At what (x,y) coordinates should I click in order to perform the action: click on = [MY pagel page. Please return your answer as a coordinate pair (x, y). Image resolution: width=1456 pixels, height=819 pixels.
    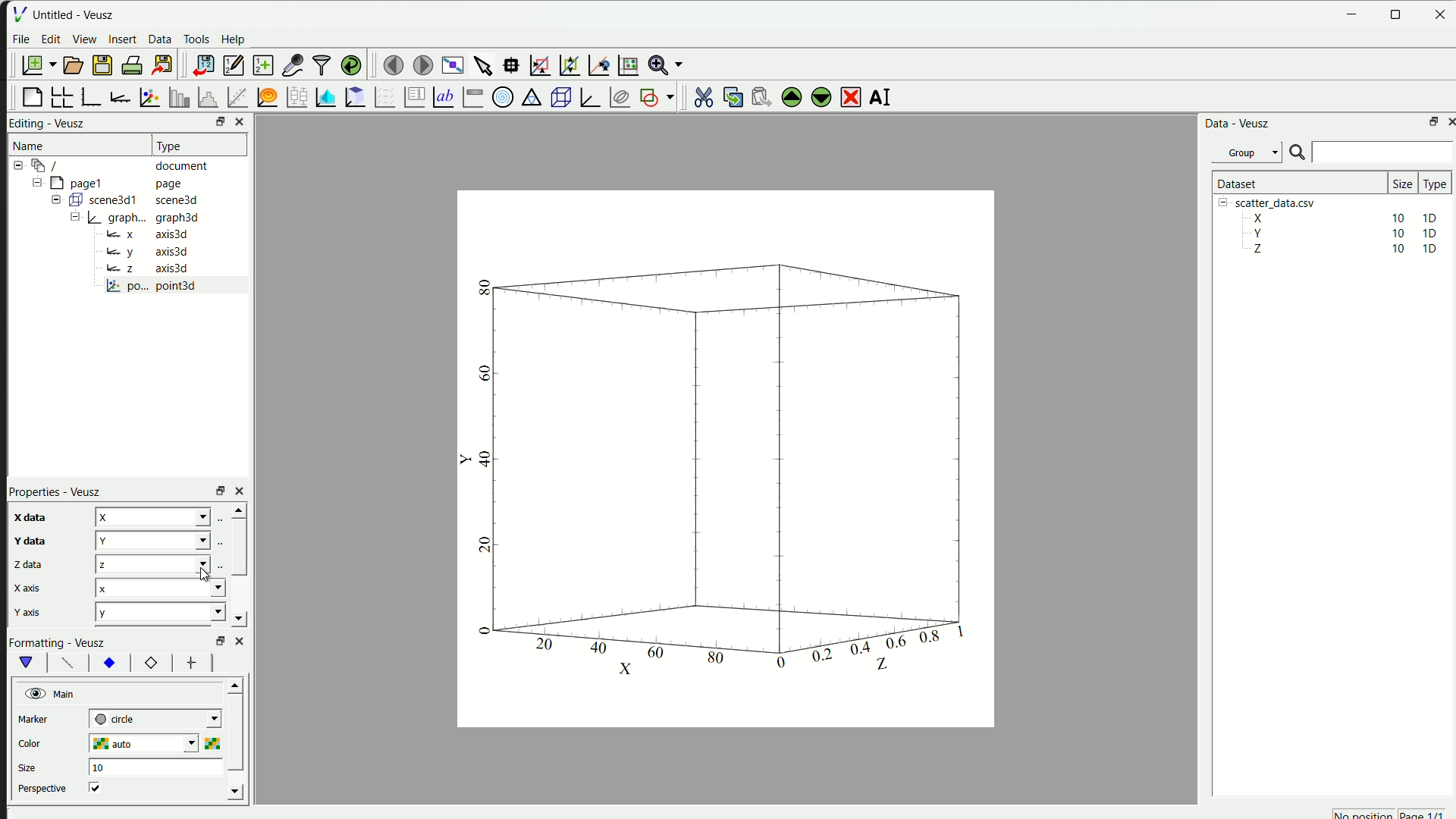
    Looking at the image, I should click on (117, 181).